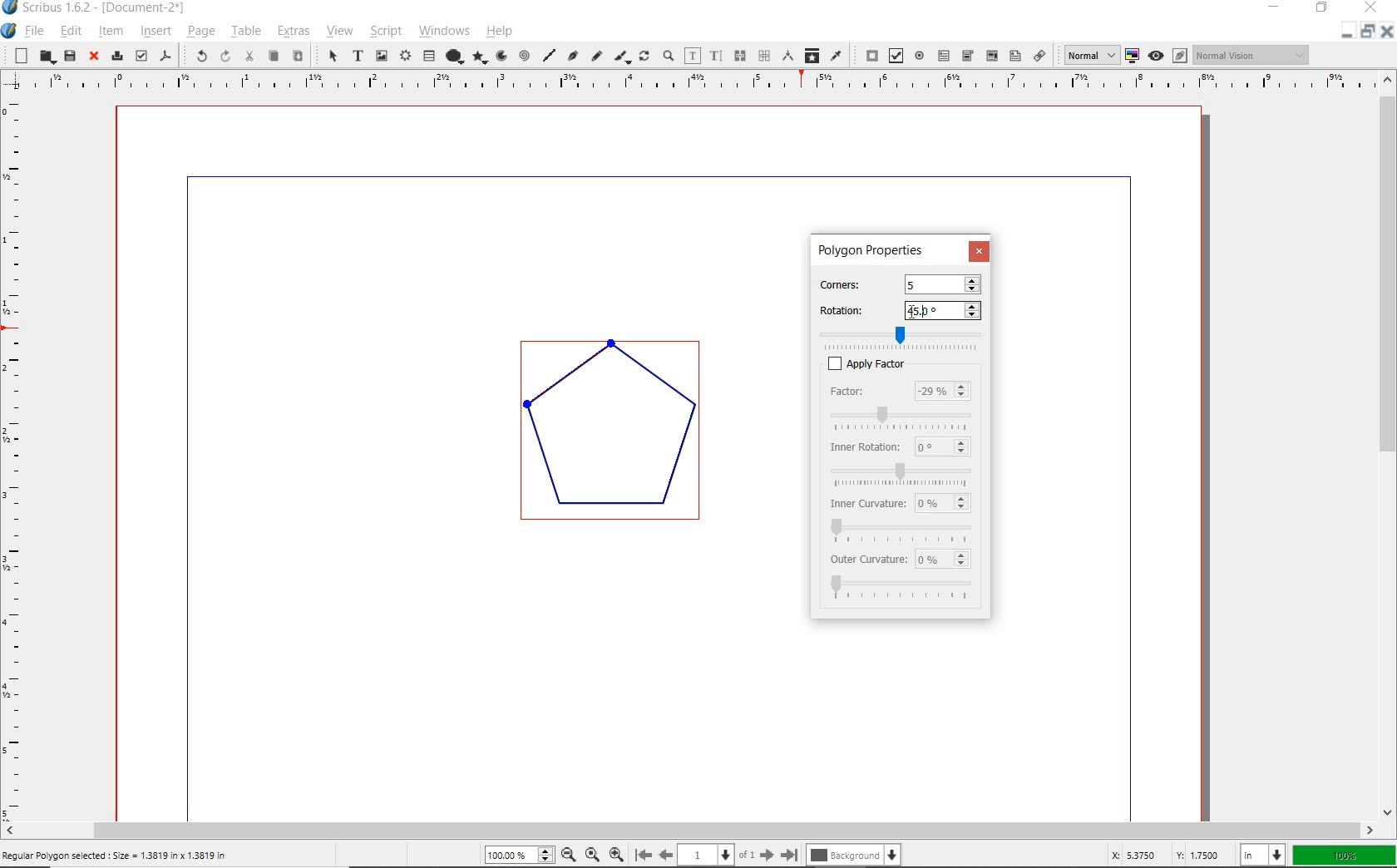 The height and width of the screenshot is (868, 1397). I want to click on inner rotation slider, so click(902, 471).